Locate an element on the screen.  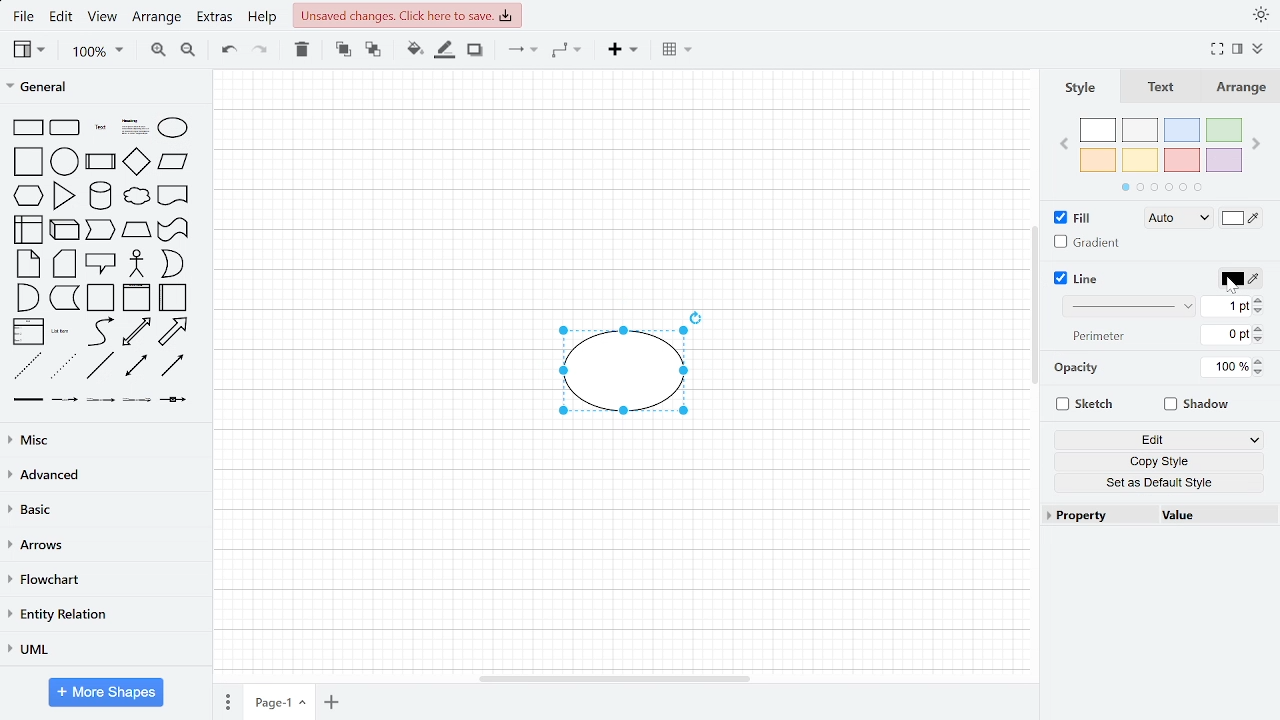
connector is located at coordinates (566, 51).